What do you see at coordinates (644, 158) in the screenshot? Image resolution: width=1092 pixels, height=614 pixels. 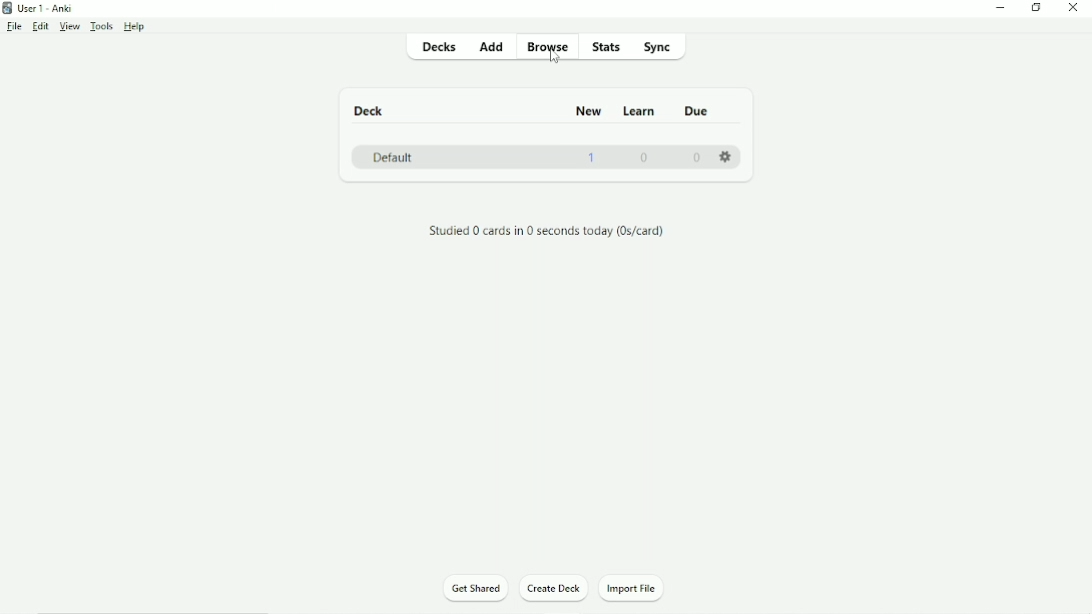 I see `0` at bounding box center [644, 158].